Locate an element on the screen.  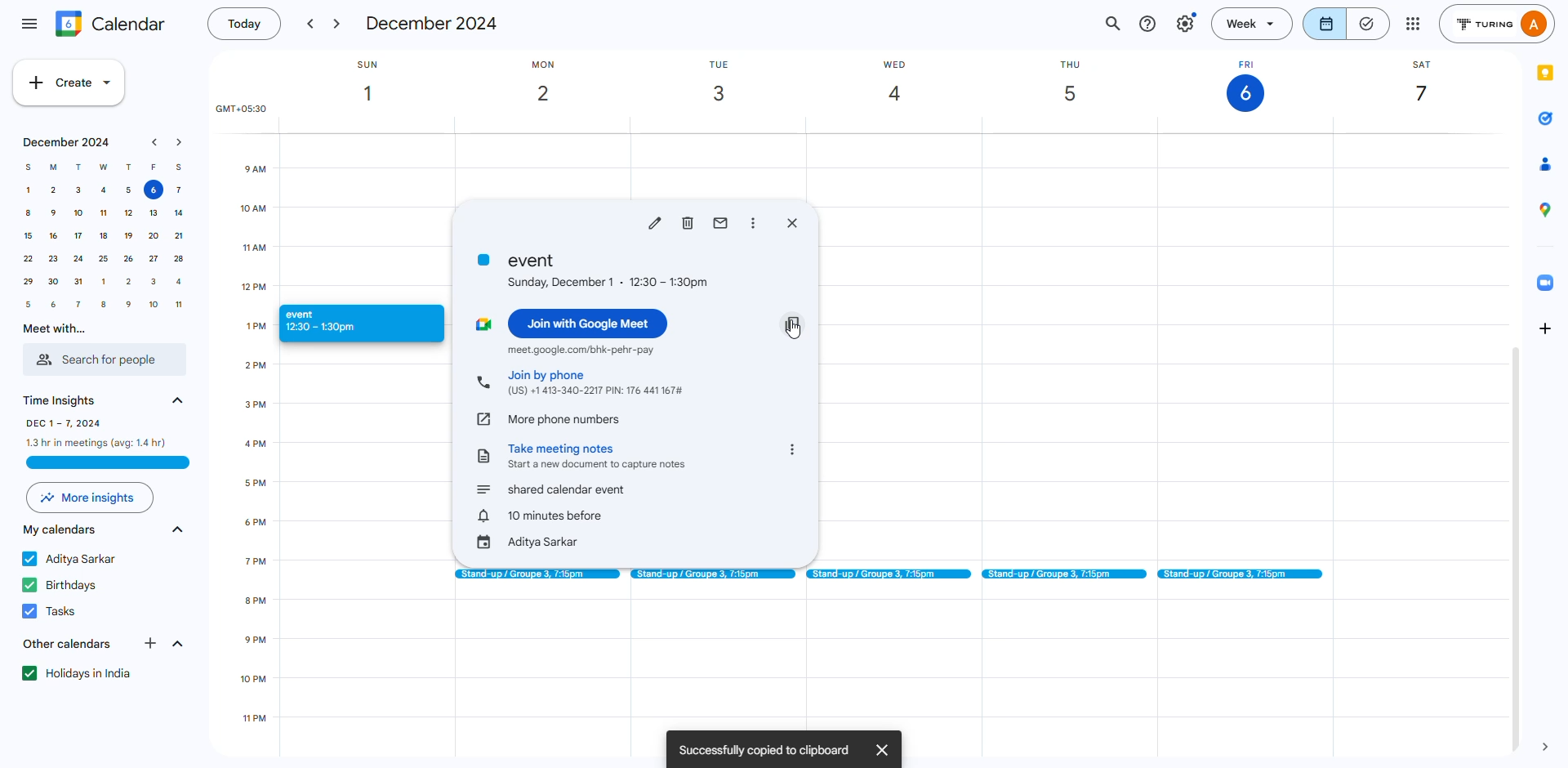
3 is located at coordinates (153, 281).